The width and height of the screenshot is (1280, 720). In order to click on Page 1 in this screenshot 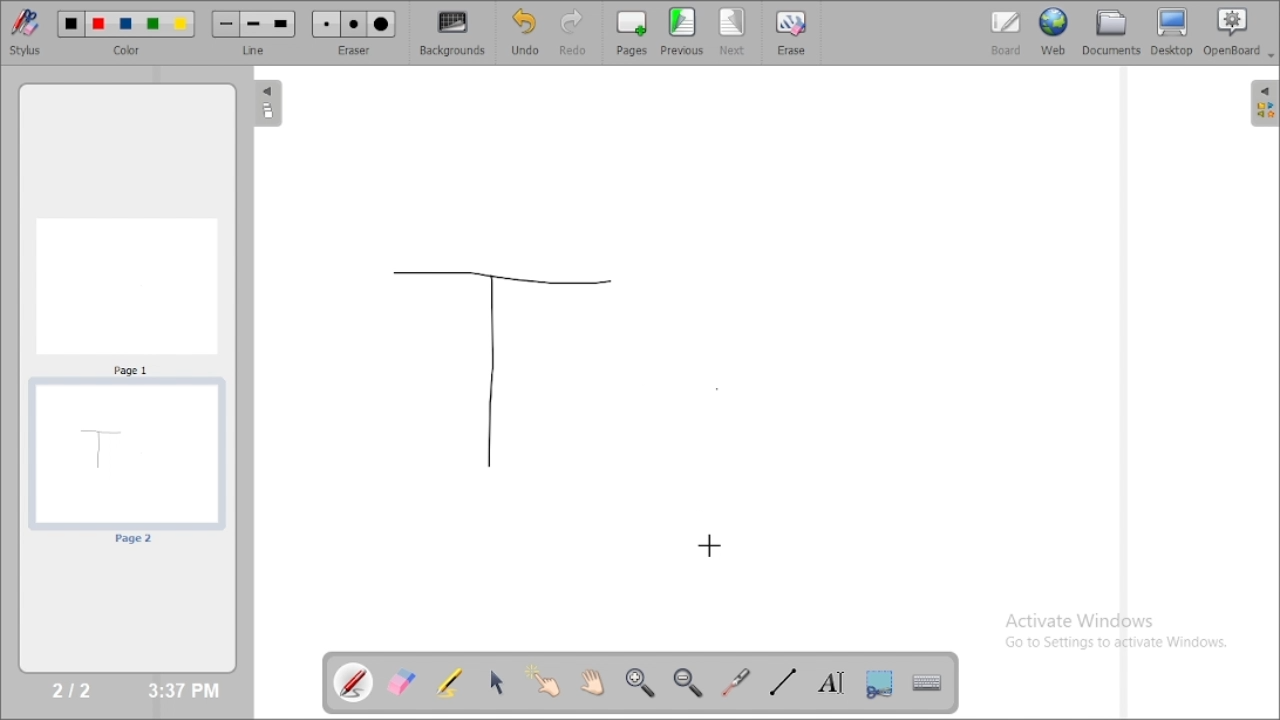, I will do `click(127, 295)`.